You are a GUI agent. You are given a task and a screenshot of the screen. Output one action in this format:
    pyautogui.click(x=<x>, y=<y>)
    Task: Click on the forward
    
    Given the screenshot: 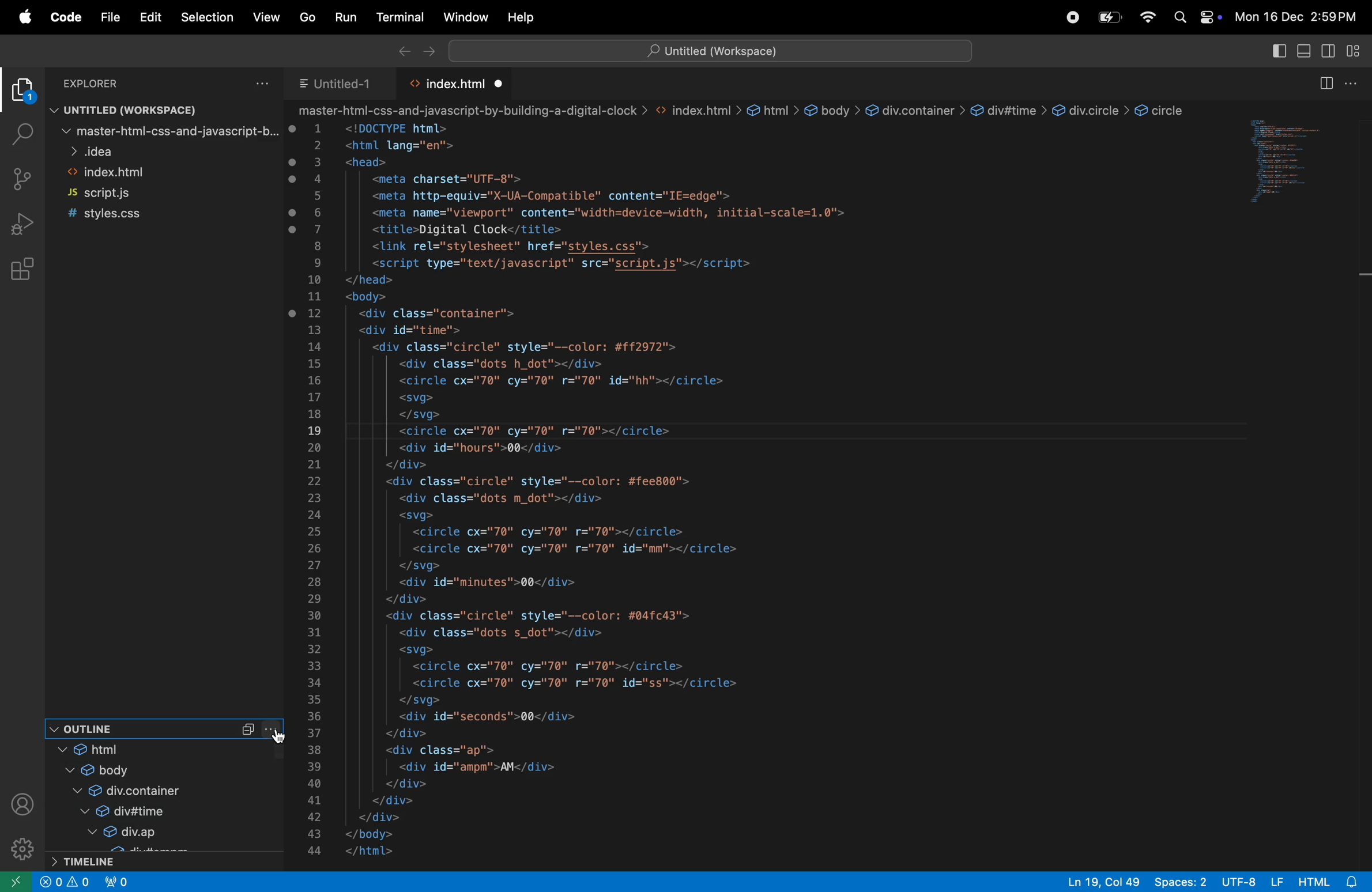 What is the action you would take?
    pyautogui.click(x=427, y=50)
    